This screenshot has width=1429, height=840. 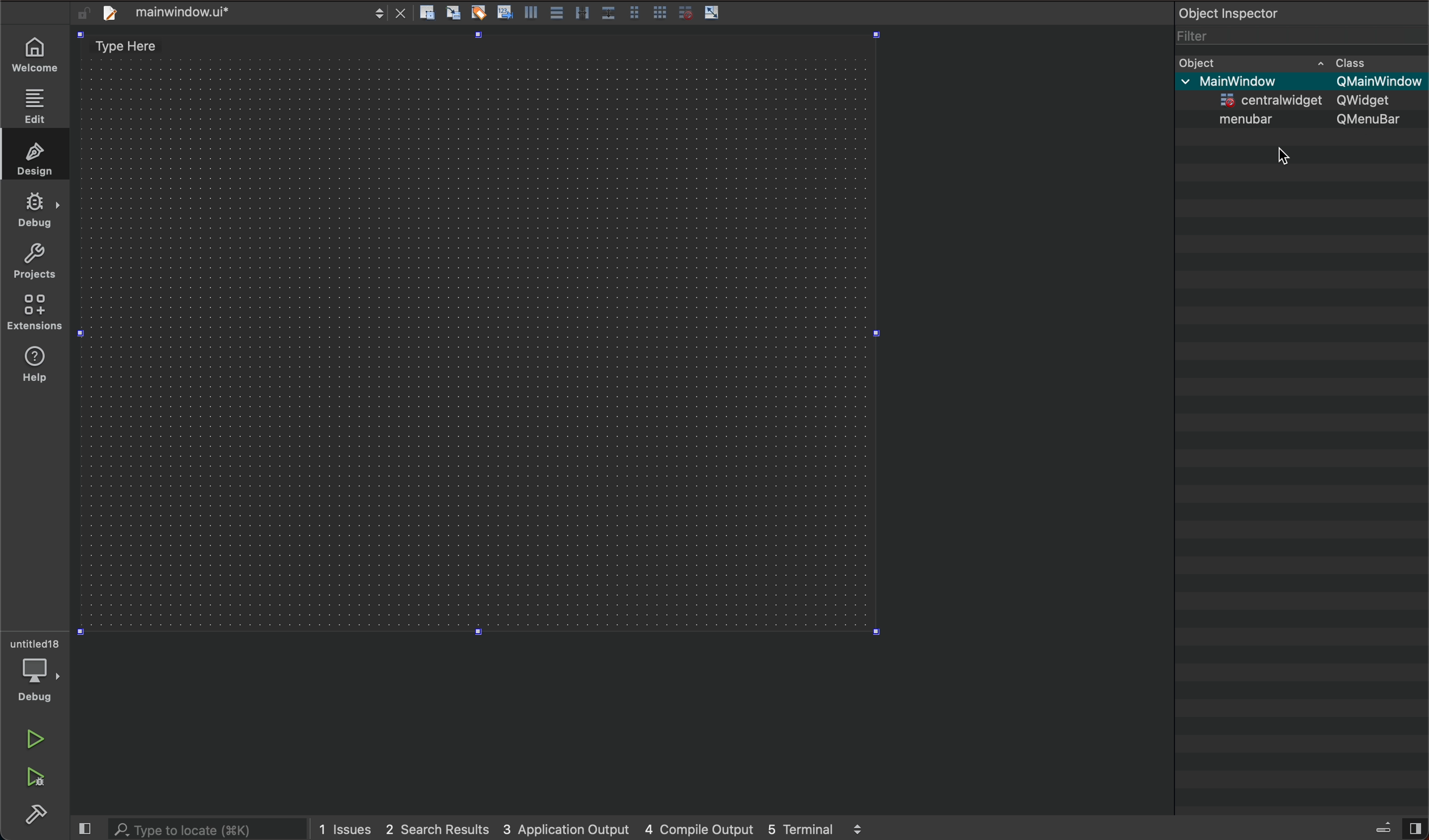 What do you see at coordinates (32, 108) in the screenshot?
I see `edit` at bounding box center [32, 108].